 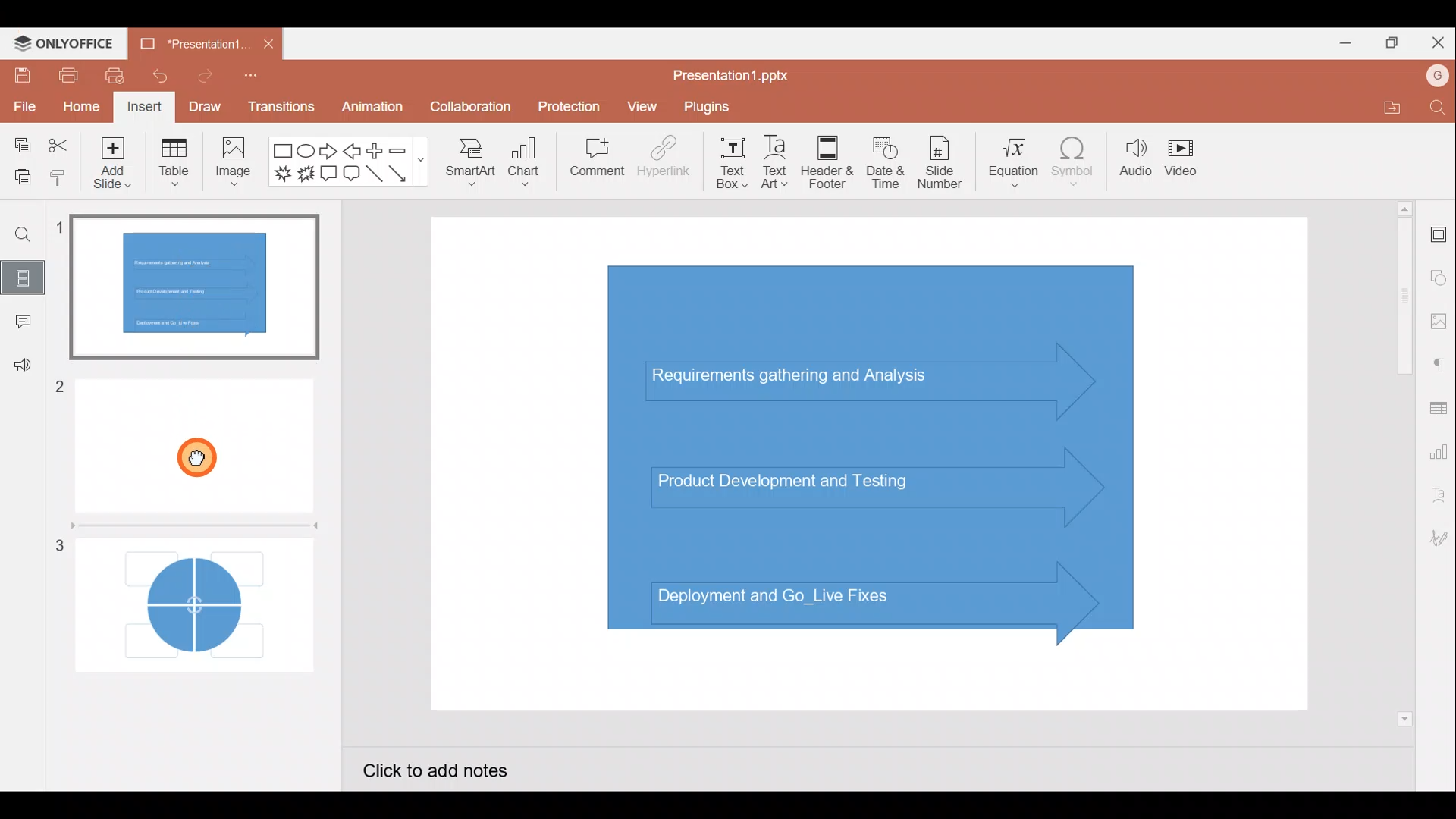 I want to click on Table settings, so click(x=1439, y=408).